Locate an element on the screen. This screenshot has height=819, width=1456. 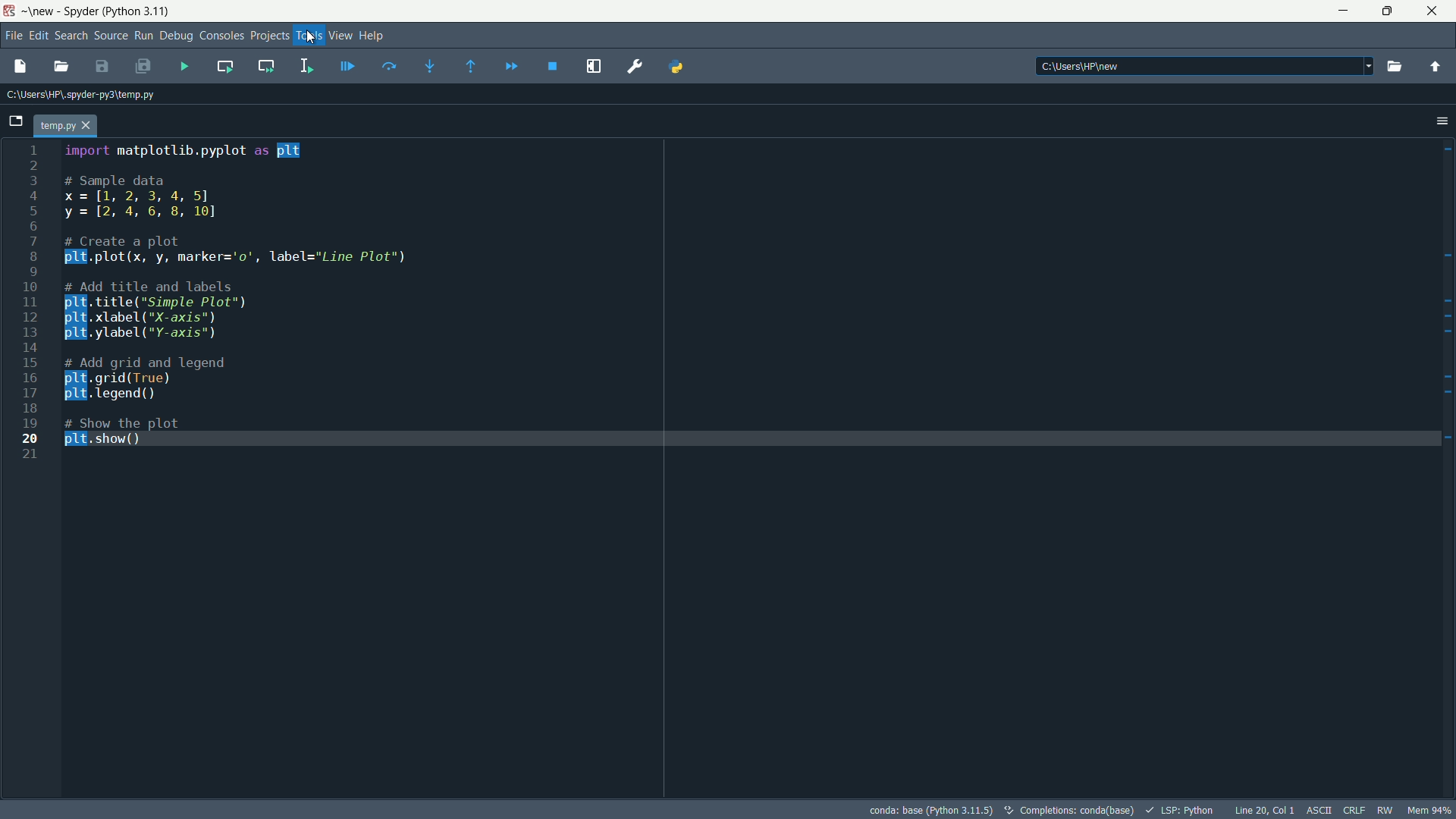
interpreter is located at coordinates (931, 811).